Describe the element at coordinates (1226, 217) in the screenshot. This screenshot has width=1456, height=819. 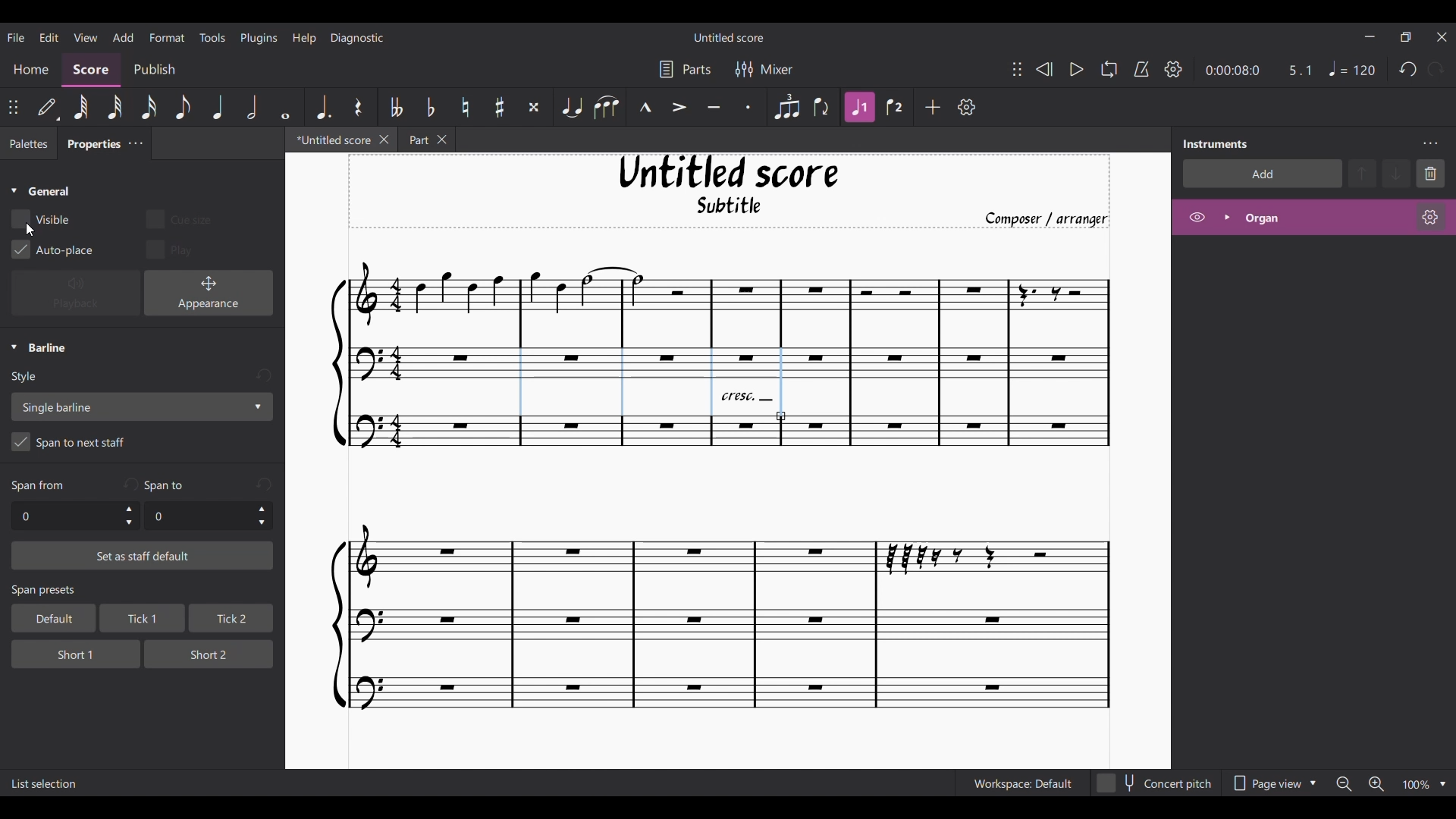
I see `Expand Organ` at that location.